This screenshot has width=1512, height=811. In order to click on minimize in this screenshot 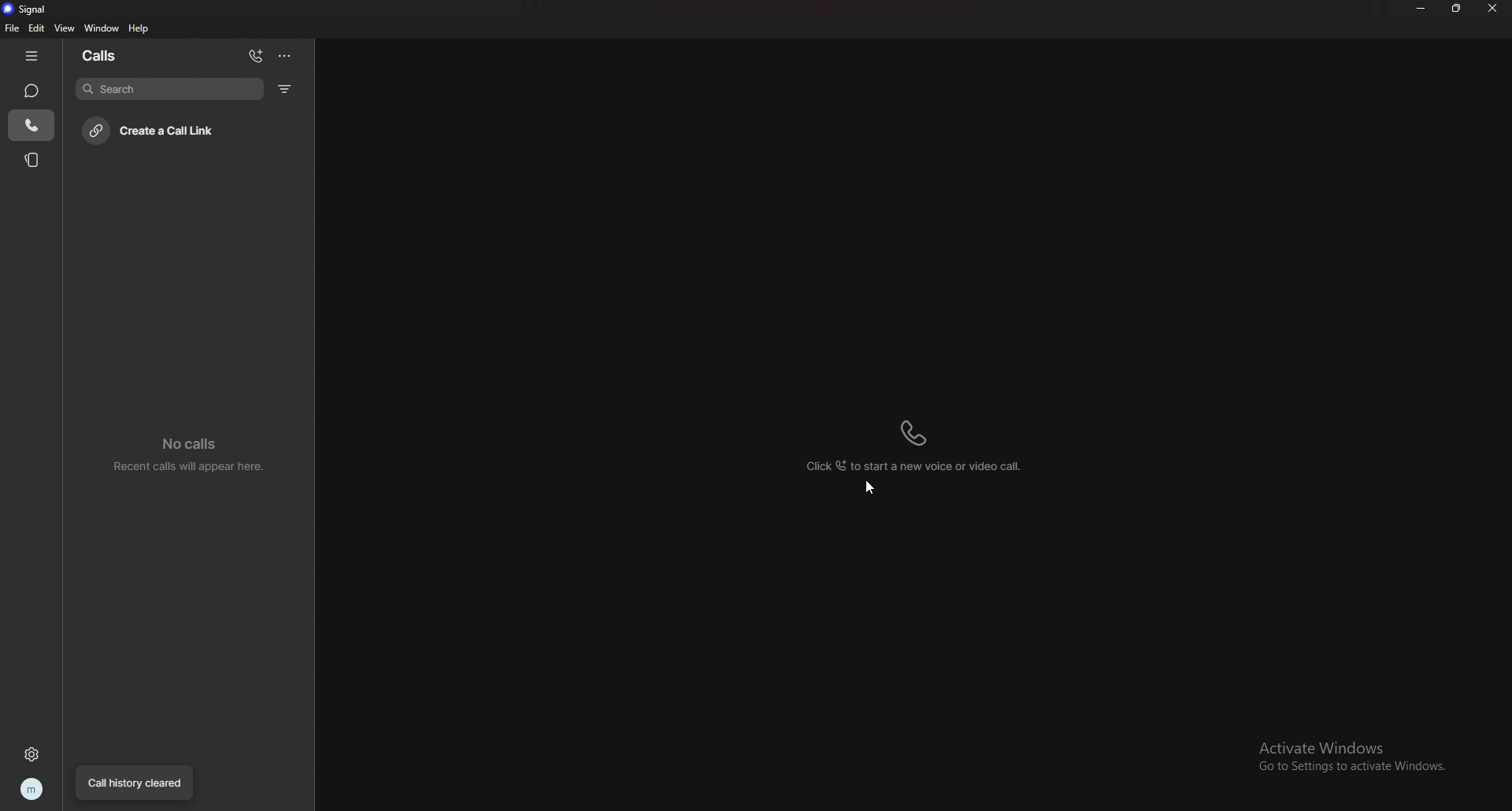, I will do `click(1421, 9)`.